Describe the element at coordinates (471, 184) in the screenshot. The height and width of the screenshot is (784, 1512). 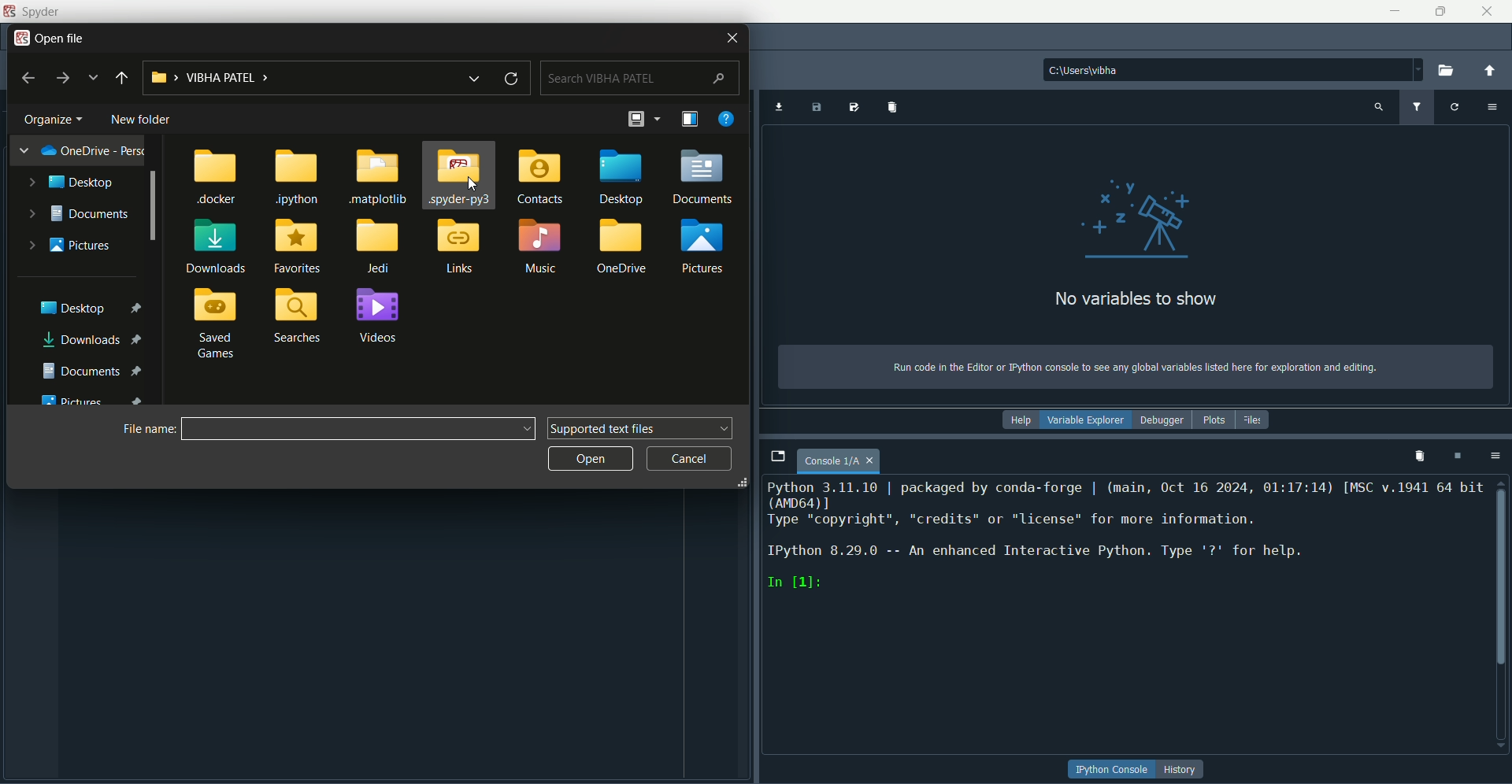
I see `Cursor` at that location.